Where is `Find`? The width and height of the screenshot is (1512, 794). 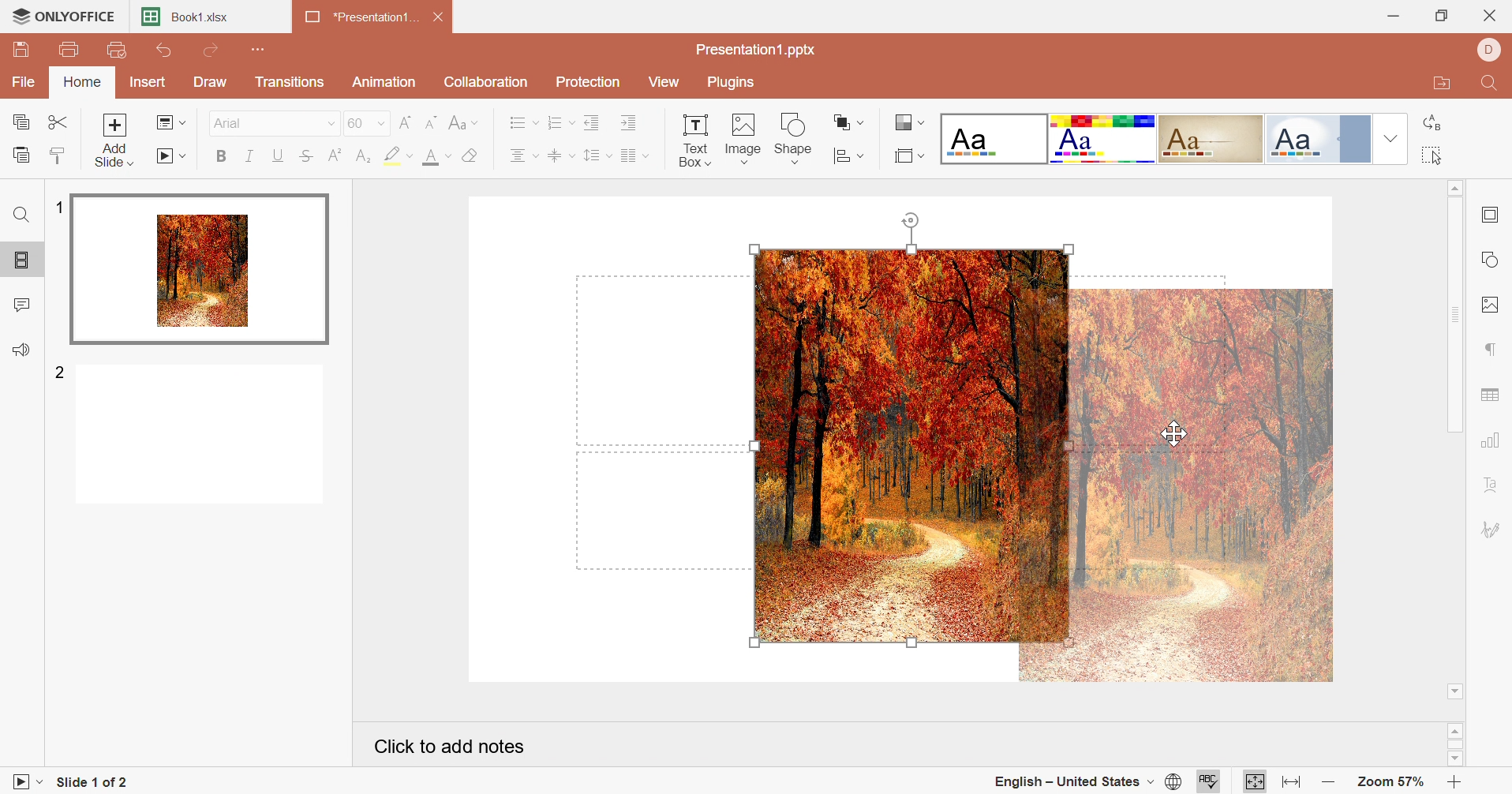
Find is located at coordinates (1490, 88).